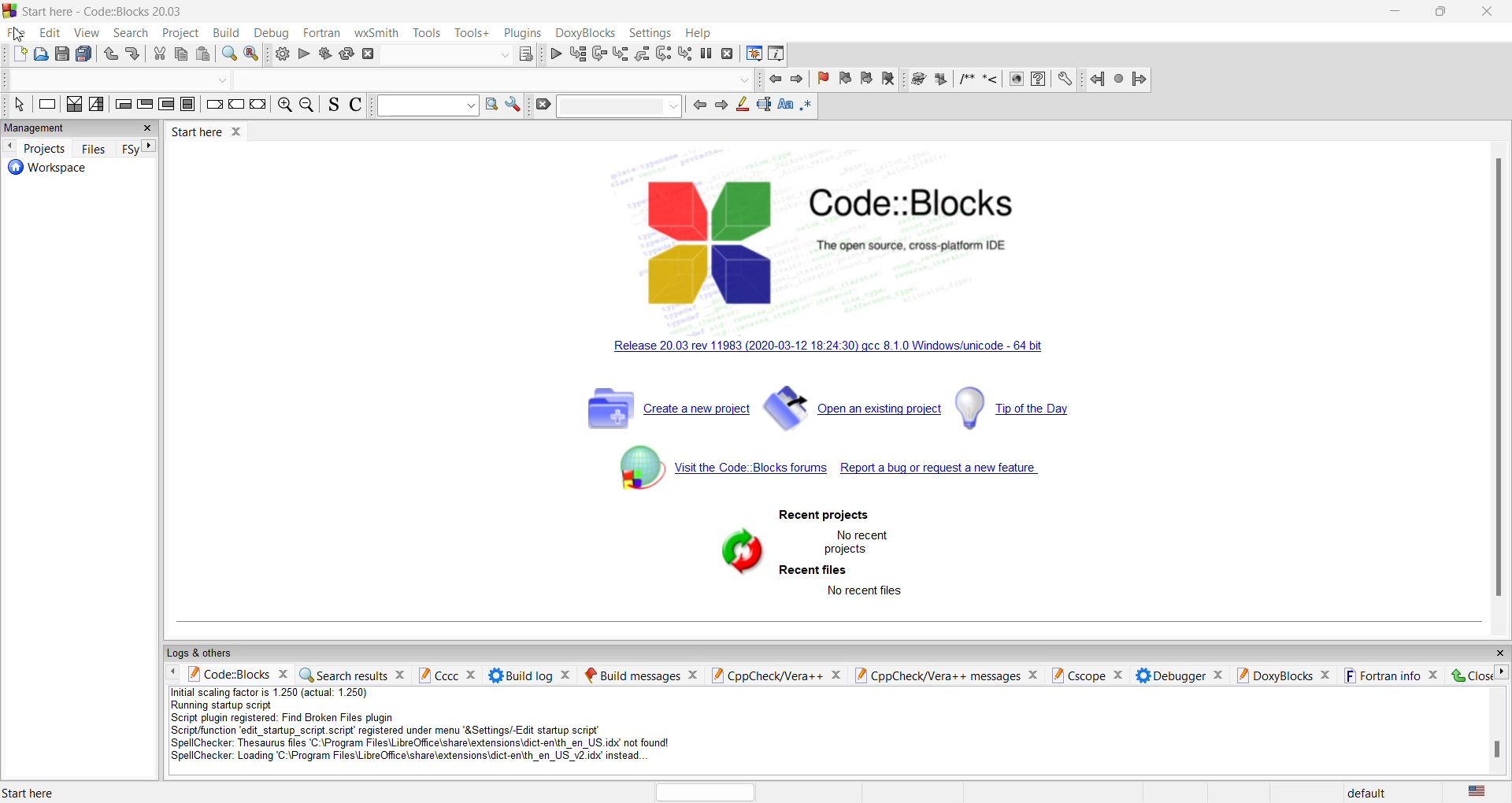 This screenshot has height=803, width=1512. I want to click on stop instruction, so click(190, 108).